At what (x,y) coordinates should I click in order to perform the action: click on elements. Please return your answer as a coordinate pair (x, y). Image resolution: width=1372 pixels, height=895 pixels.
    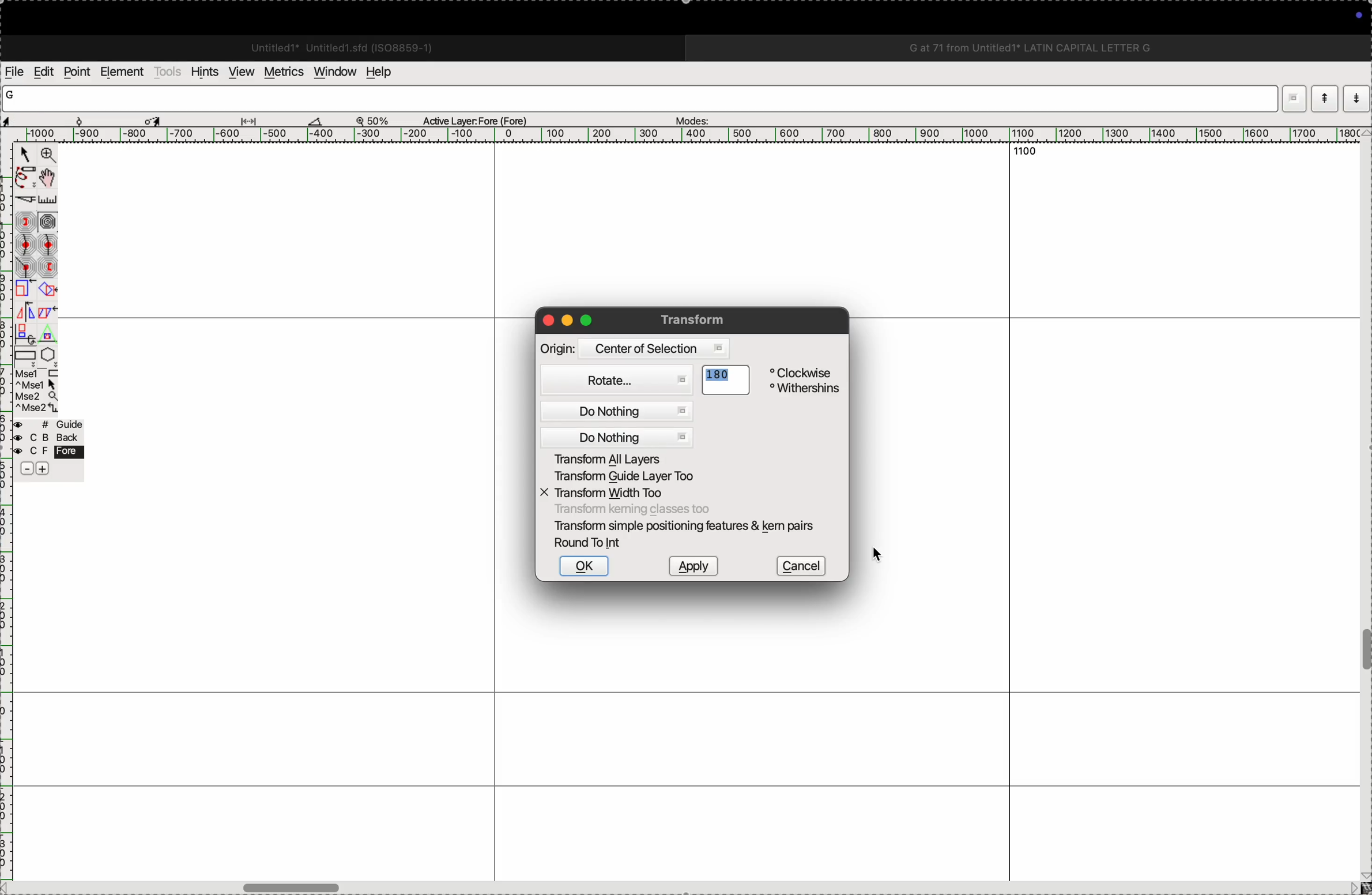
    Looking at the image, I should click on (125, 72).